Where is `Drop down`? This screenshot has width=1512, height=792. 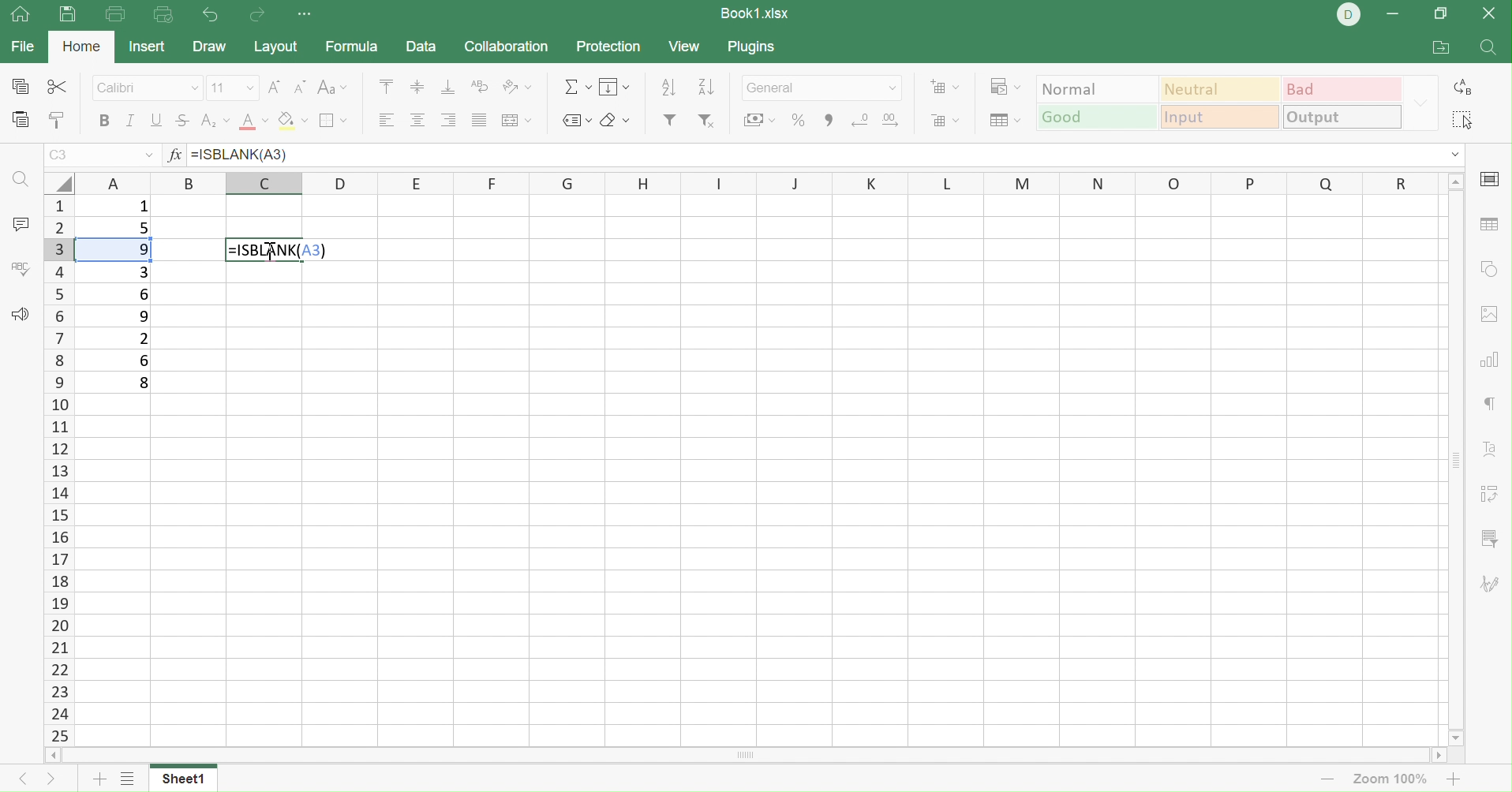 Drop down is located at coordinates (1424, 104).